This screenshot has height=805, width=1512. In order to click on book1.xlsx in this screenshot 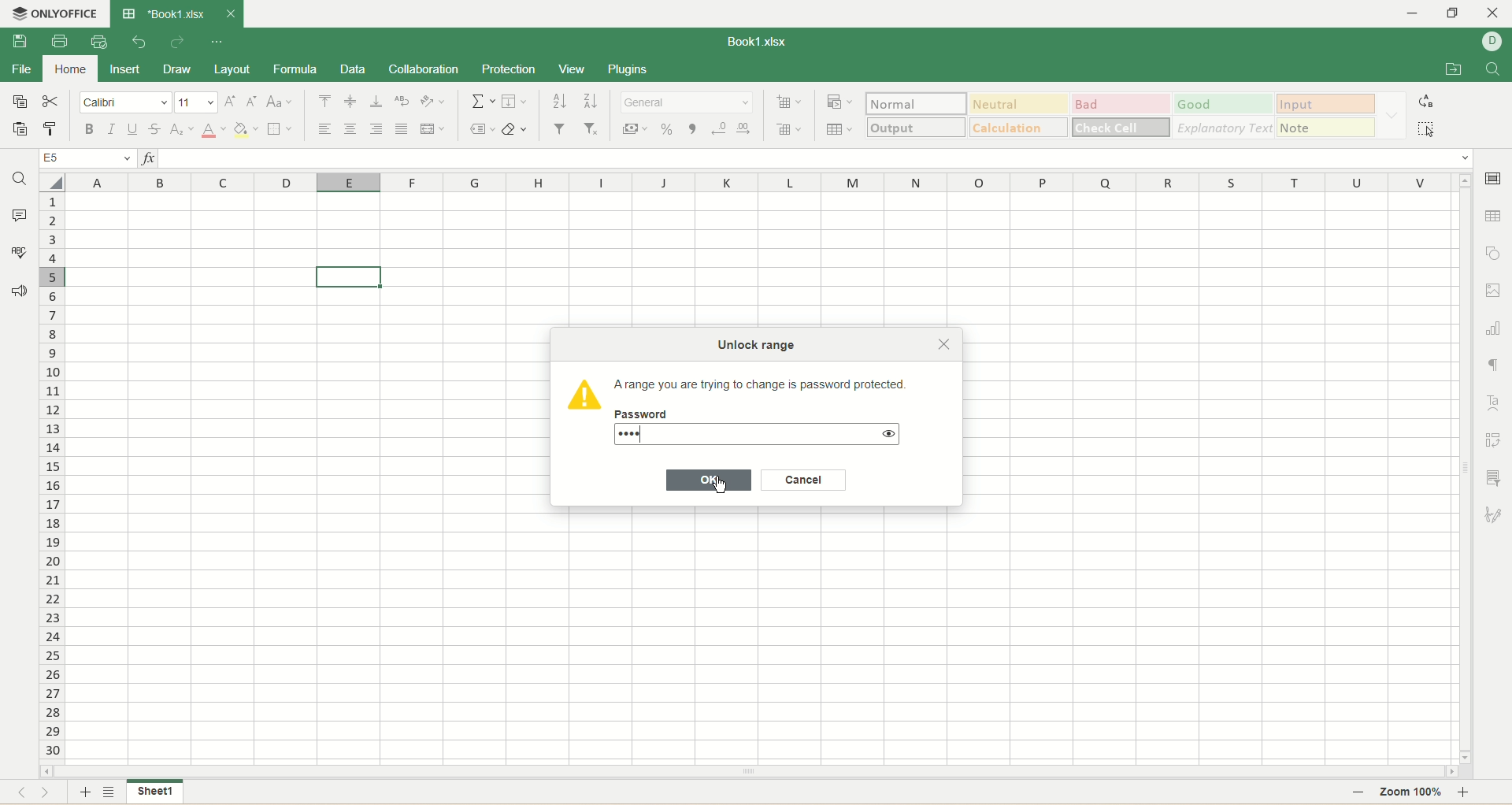, I will do `click(764, 43)`.